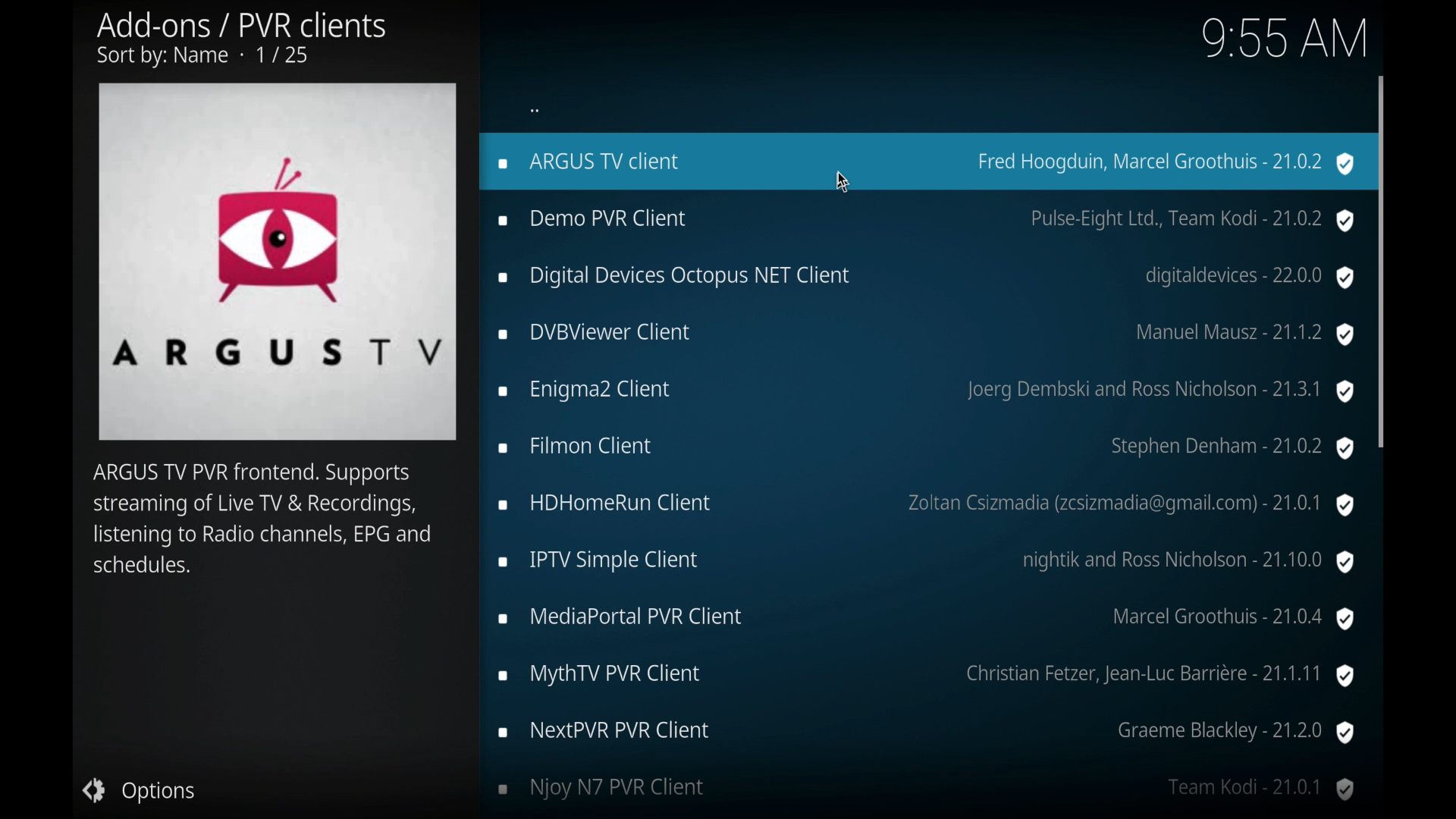 The width and height of the screenshot is (1456, 819). What do you see at coordinates (925, 450) in the screenshot?
I see `filmon client` at bounding box center [925, 450].